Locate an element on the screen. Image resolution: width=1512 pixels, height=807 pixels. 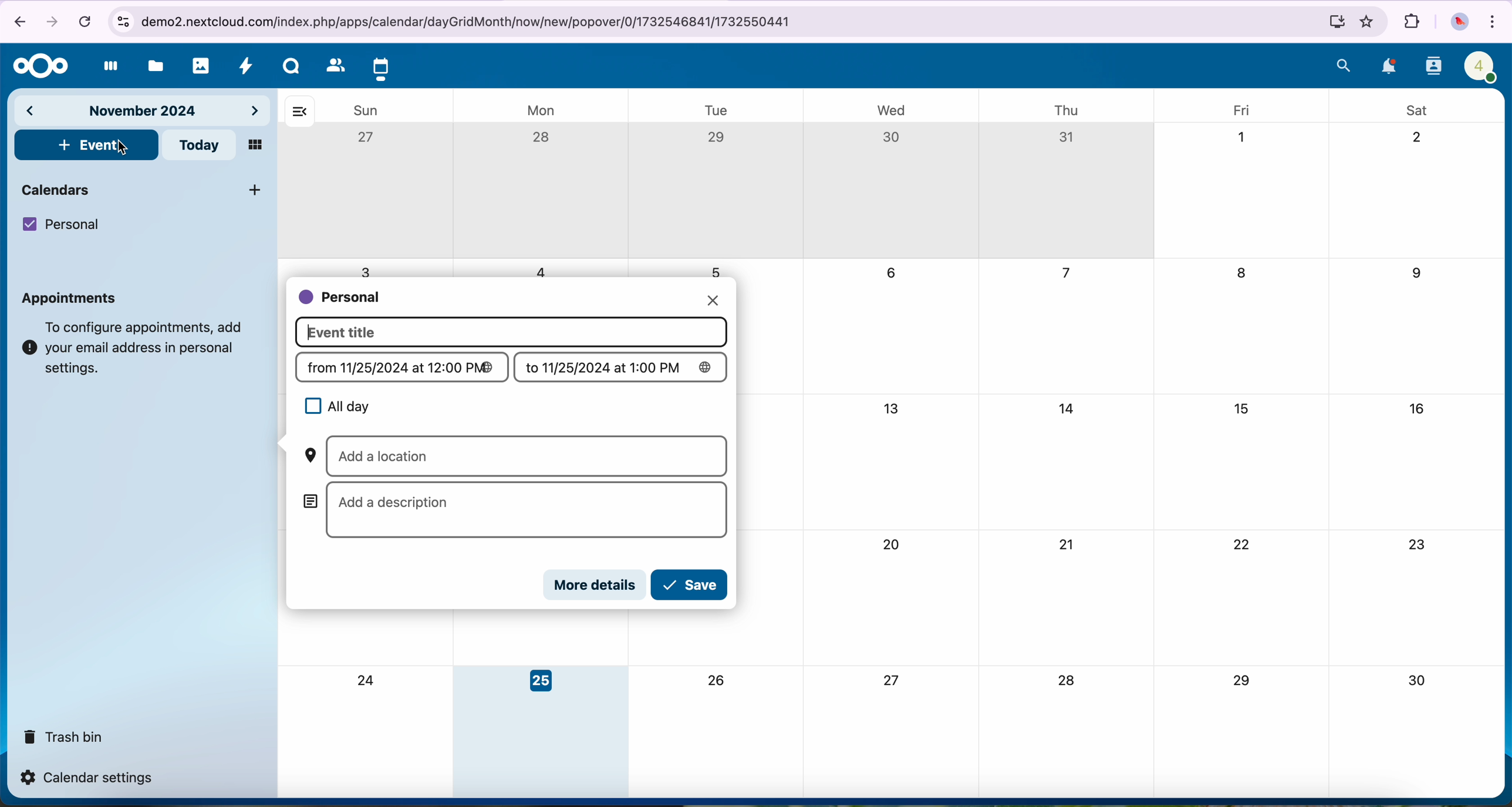
navigate foward is located at coordinates (50, 23).